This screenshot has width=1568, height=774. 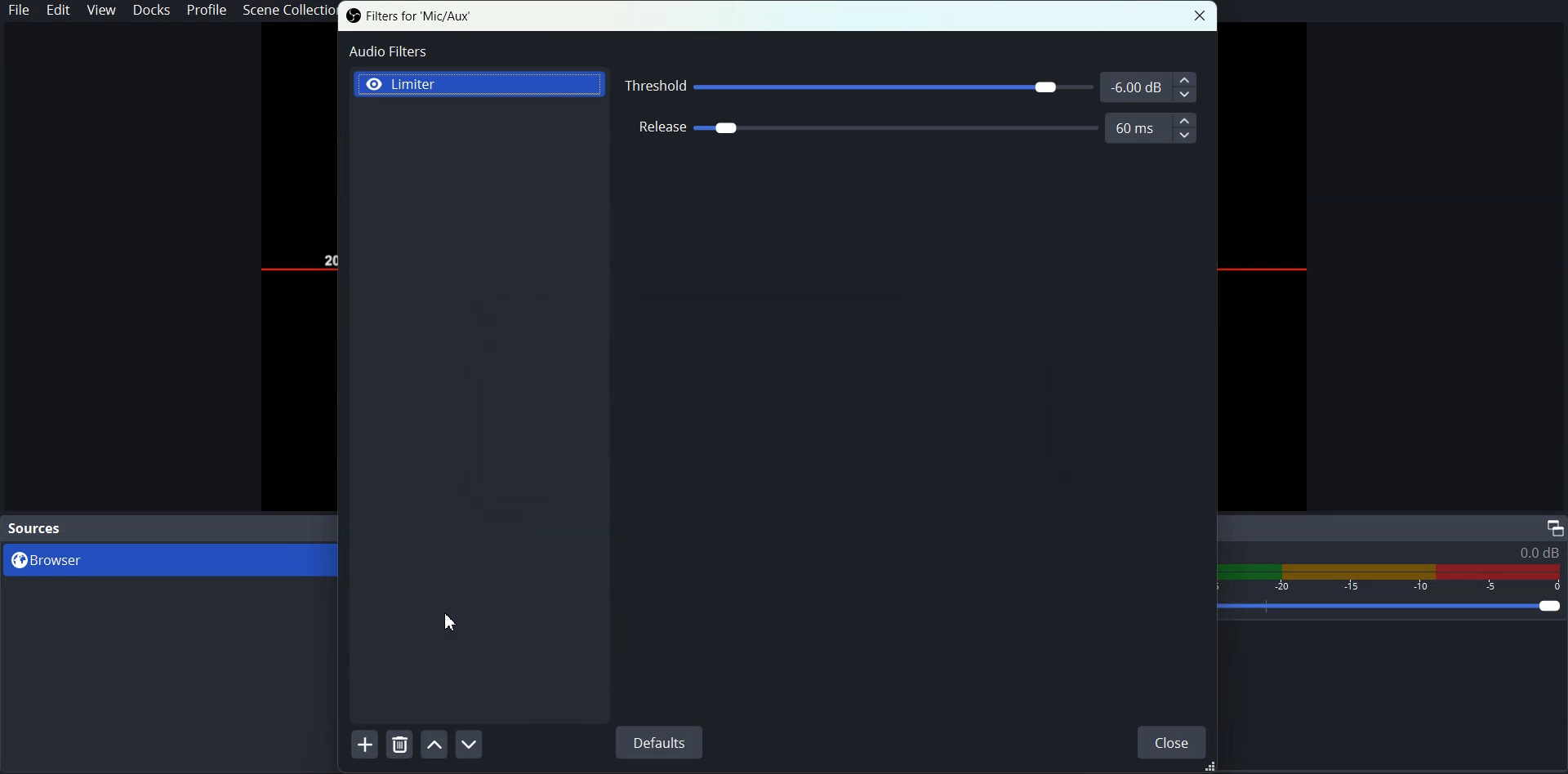 I want to click on Audio filter, so click(x=386, y=51).